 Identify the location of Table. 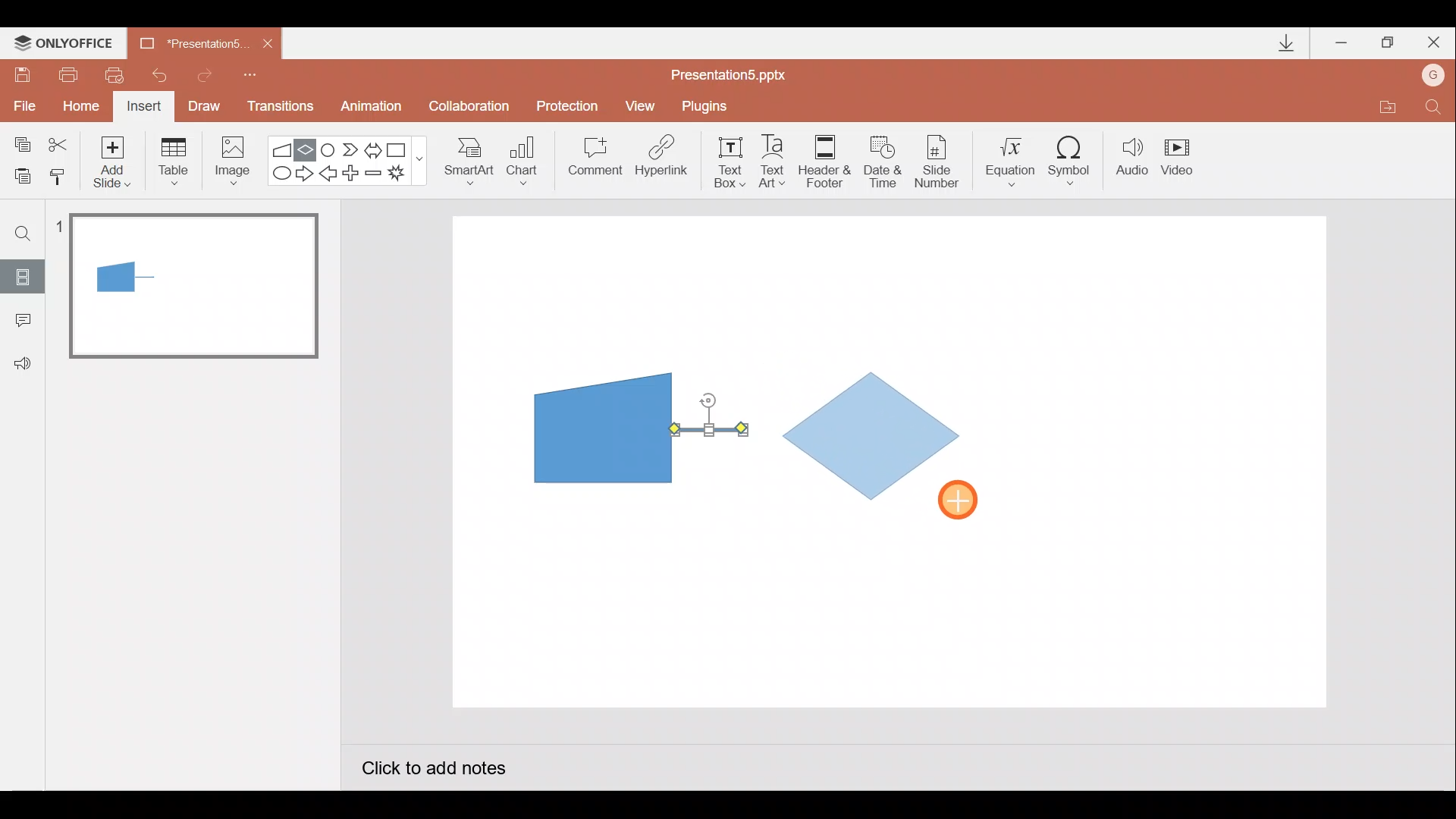
(172, 160).